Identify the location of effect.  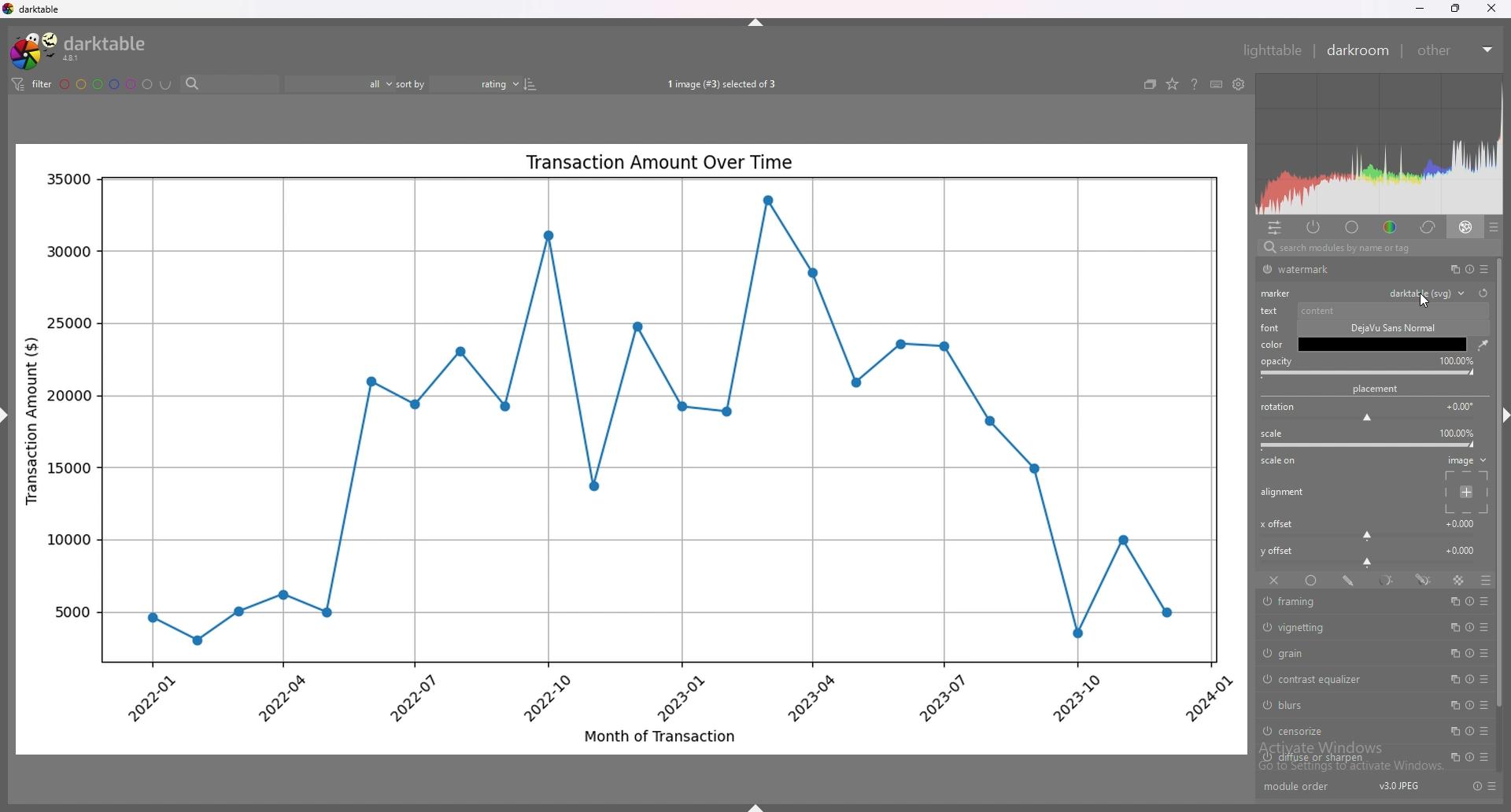
(1466, 227).